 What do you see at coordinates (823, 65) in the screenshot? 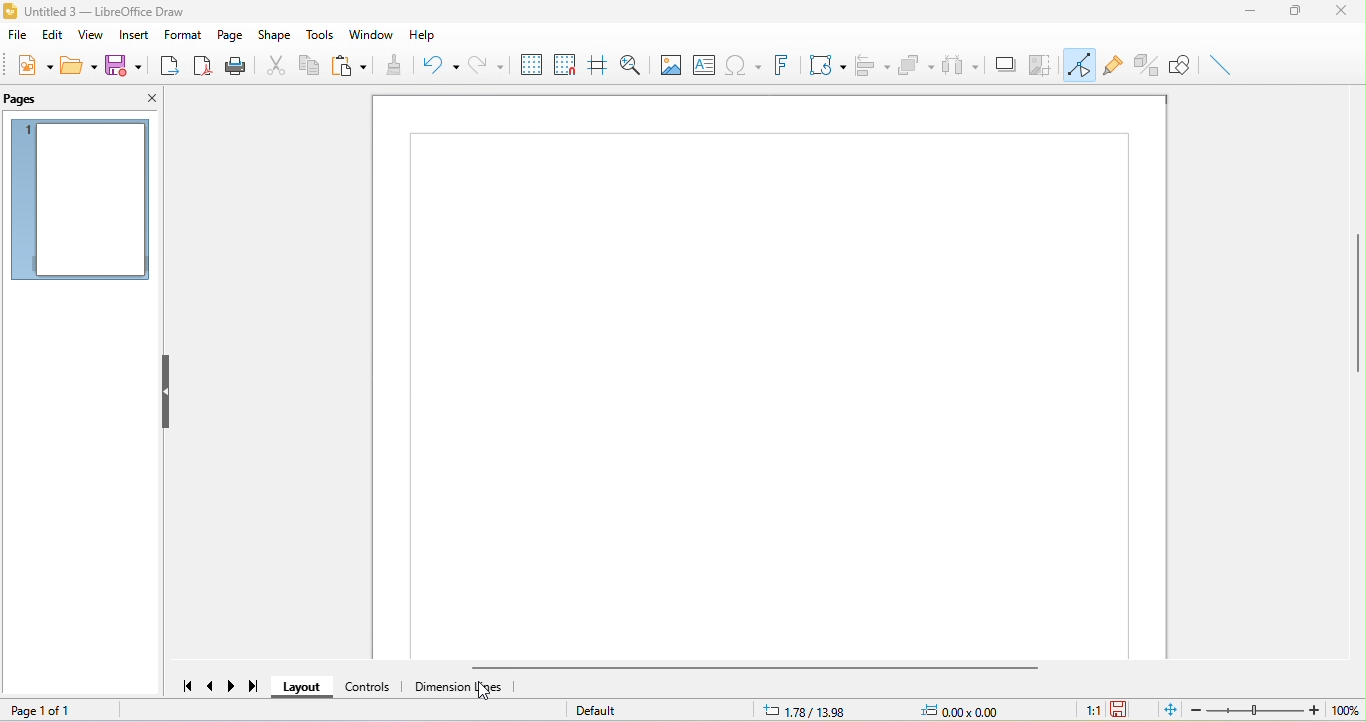
I see `transformation` at bounding box center [823, 65].